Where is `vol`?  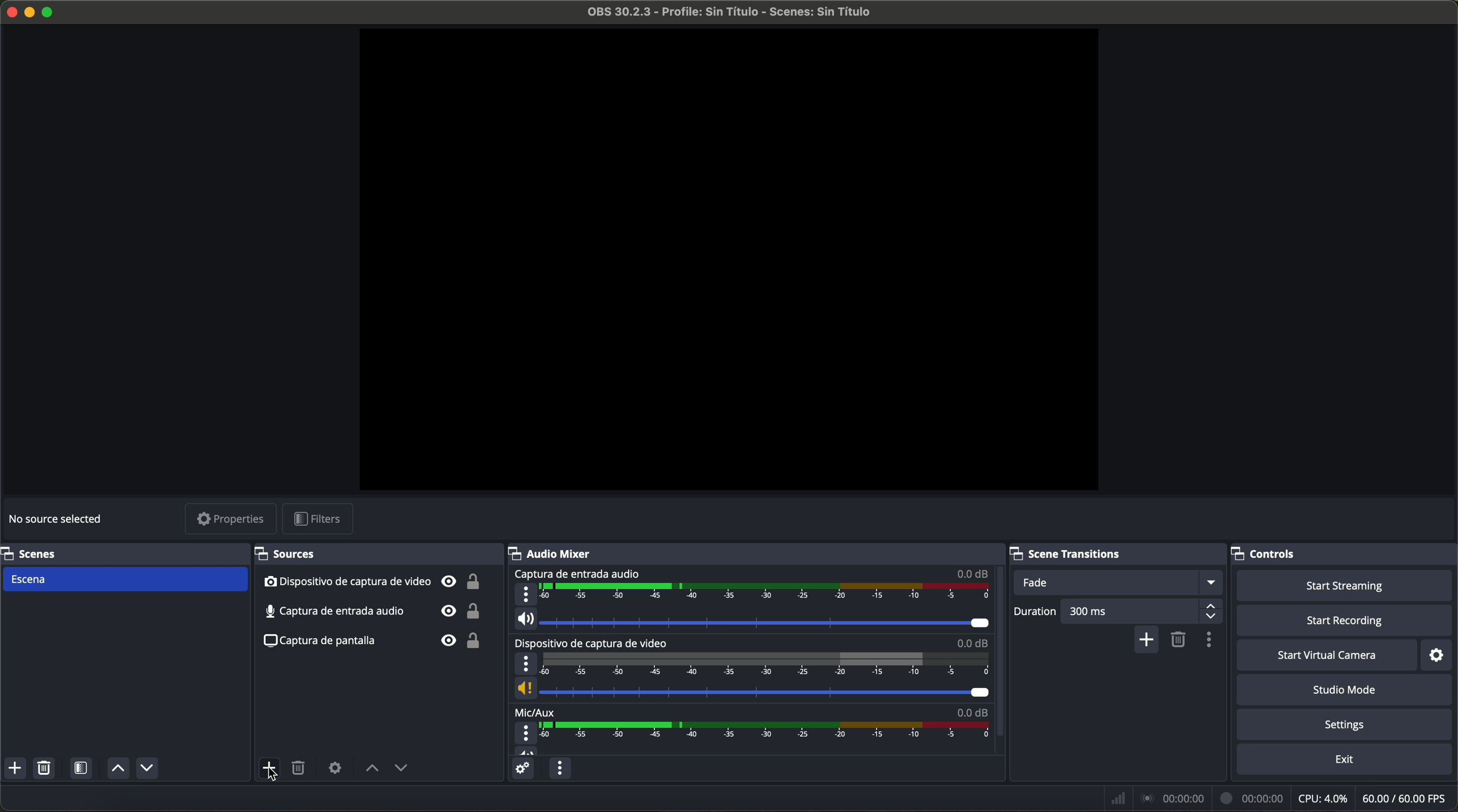
vol is located at coordinates (751, 689).